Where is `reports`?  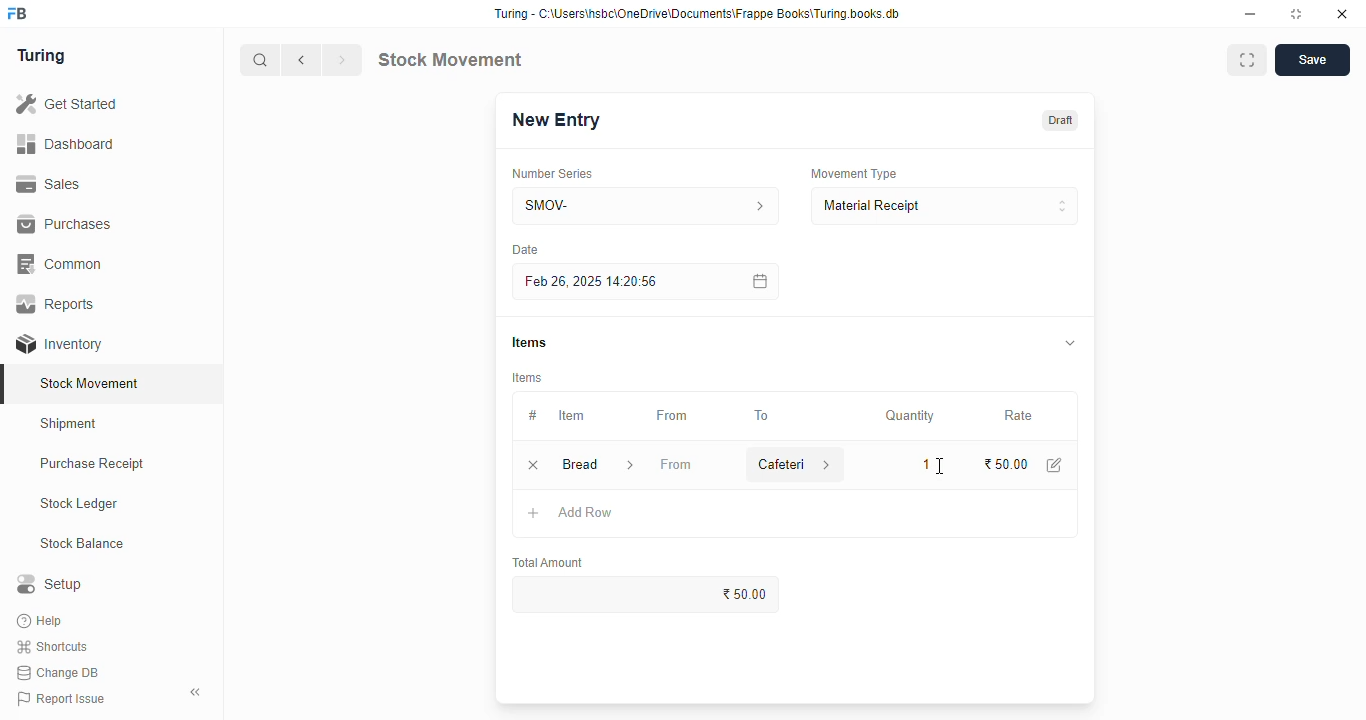 reports is located at coordinates (57, 303).